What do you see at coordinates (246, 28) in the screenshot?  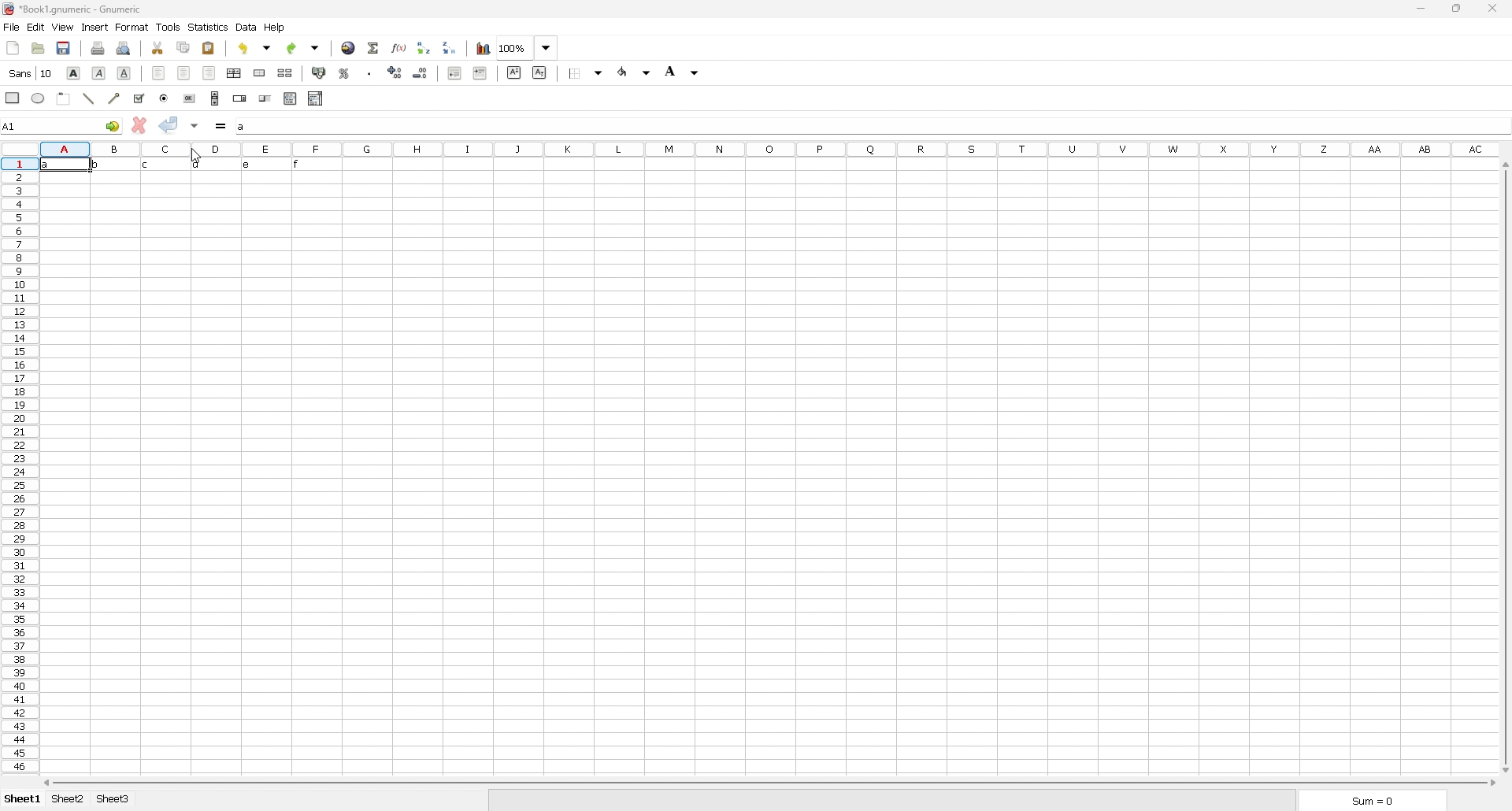 I see `data` at bounding box center [246, 28].